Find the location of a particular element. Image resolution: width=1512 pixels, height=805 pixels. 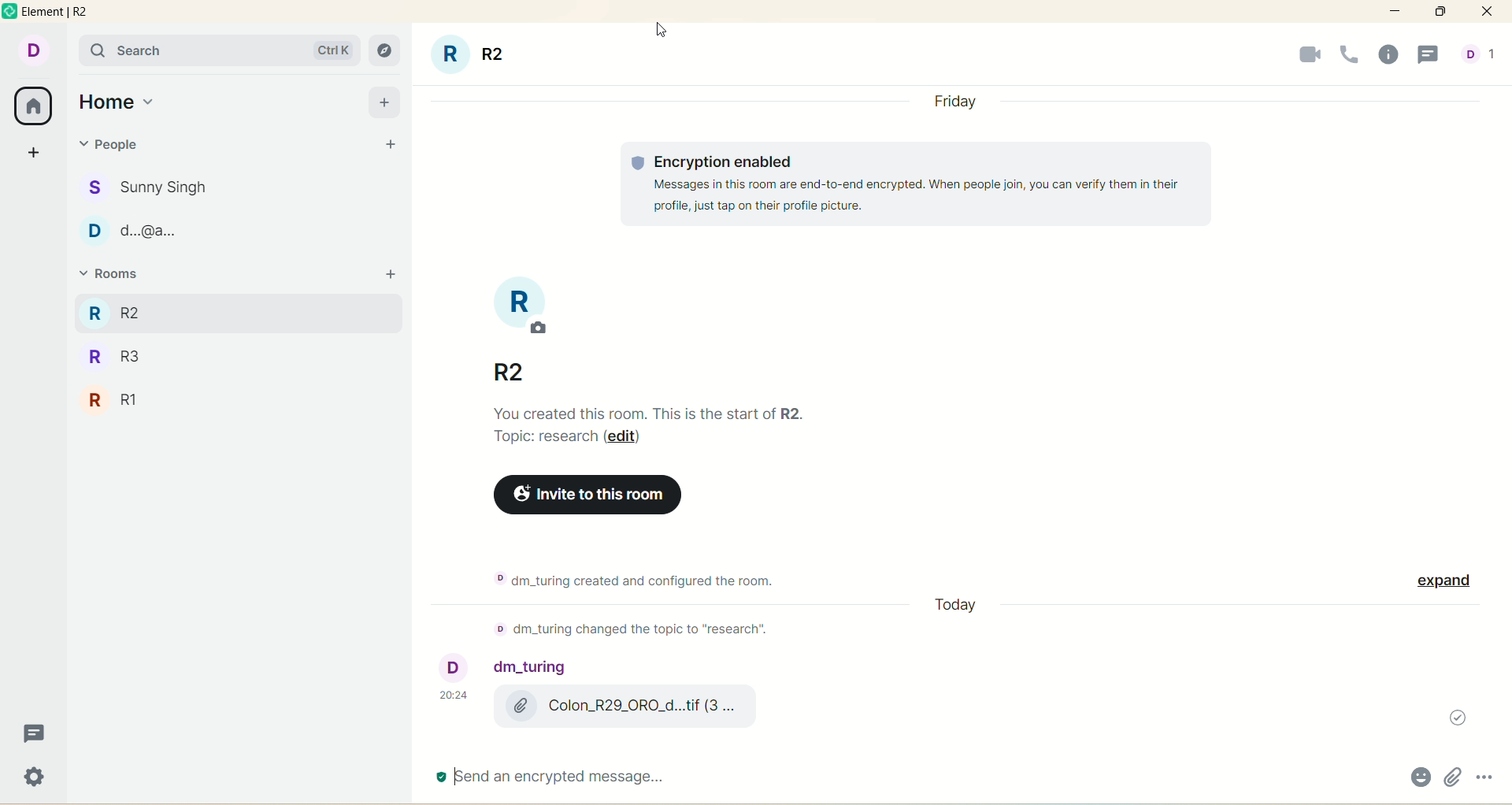

 is located at coordinates (916, 185).